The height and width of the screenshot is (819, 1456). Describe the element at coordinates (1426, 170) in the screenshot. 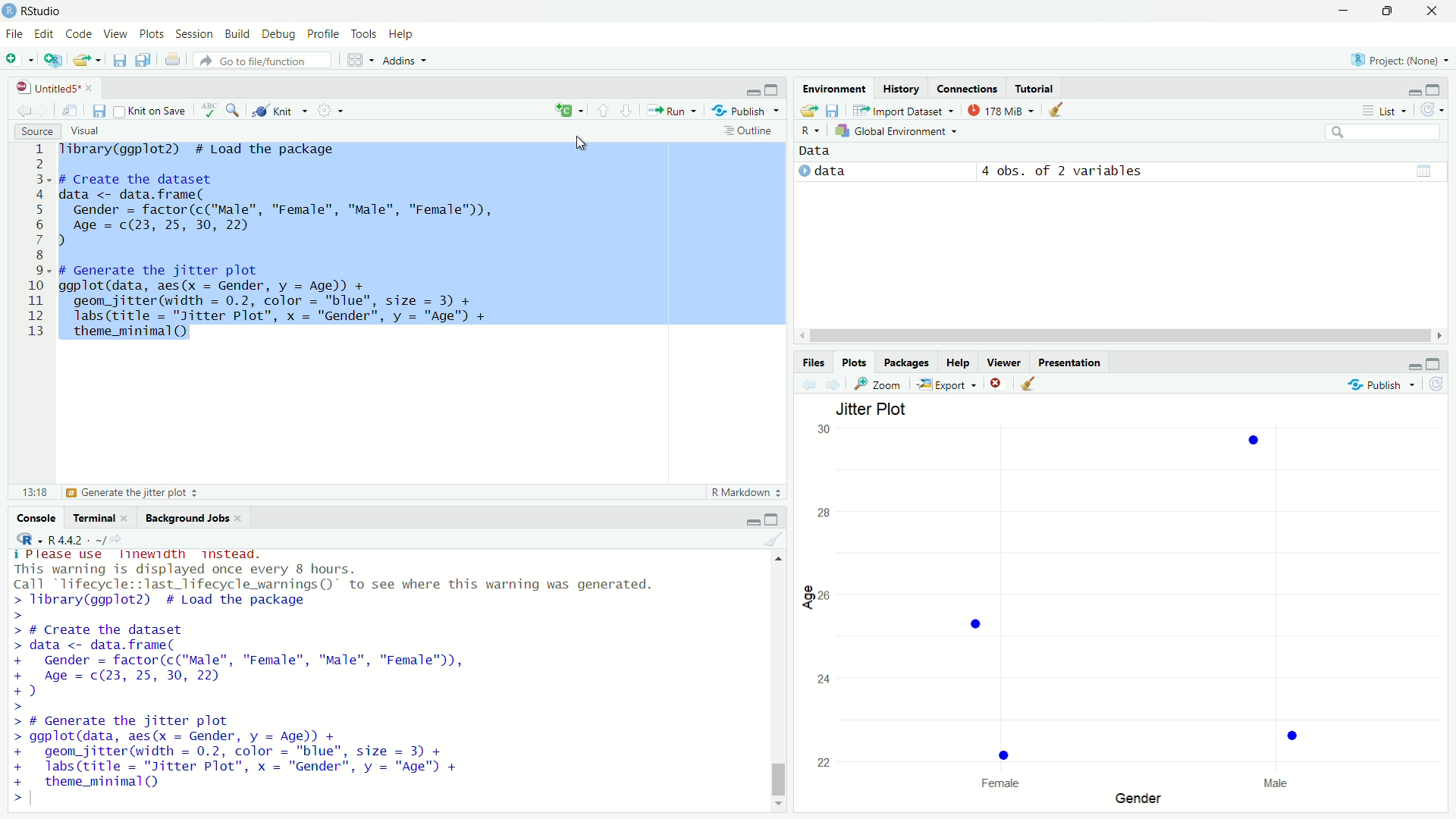

I see `table` at that location.